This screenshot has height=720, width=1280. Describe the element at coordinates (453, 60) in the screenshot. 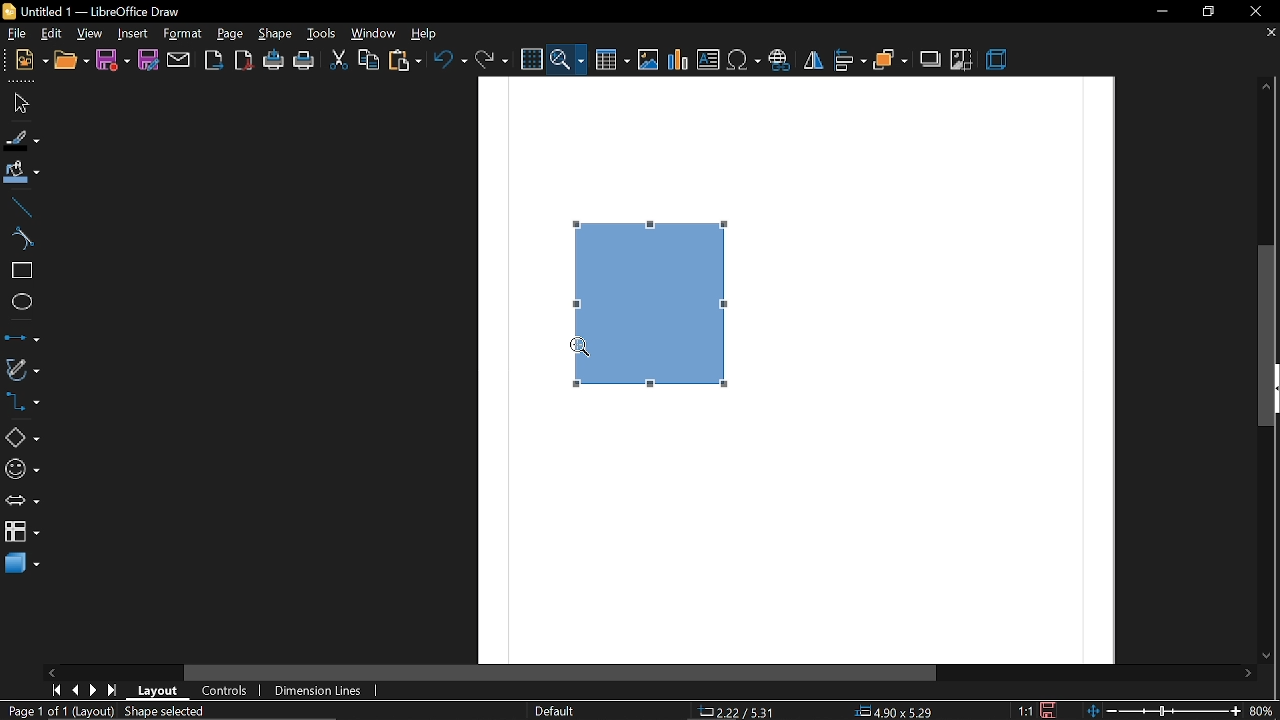

I see `undo` at that location.